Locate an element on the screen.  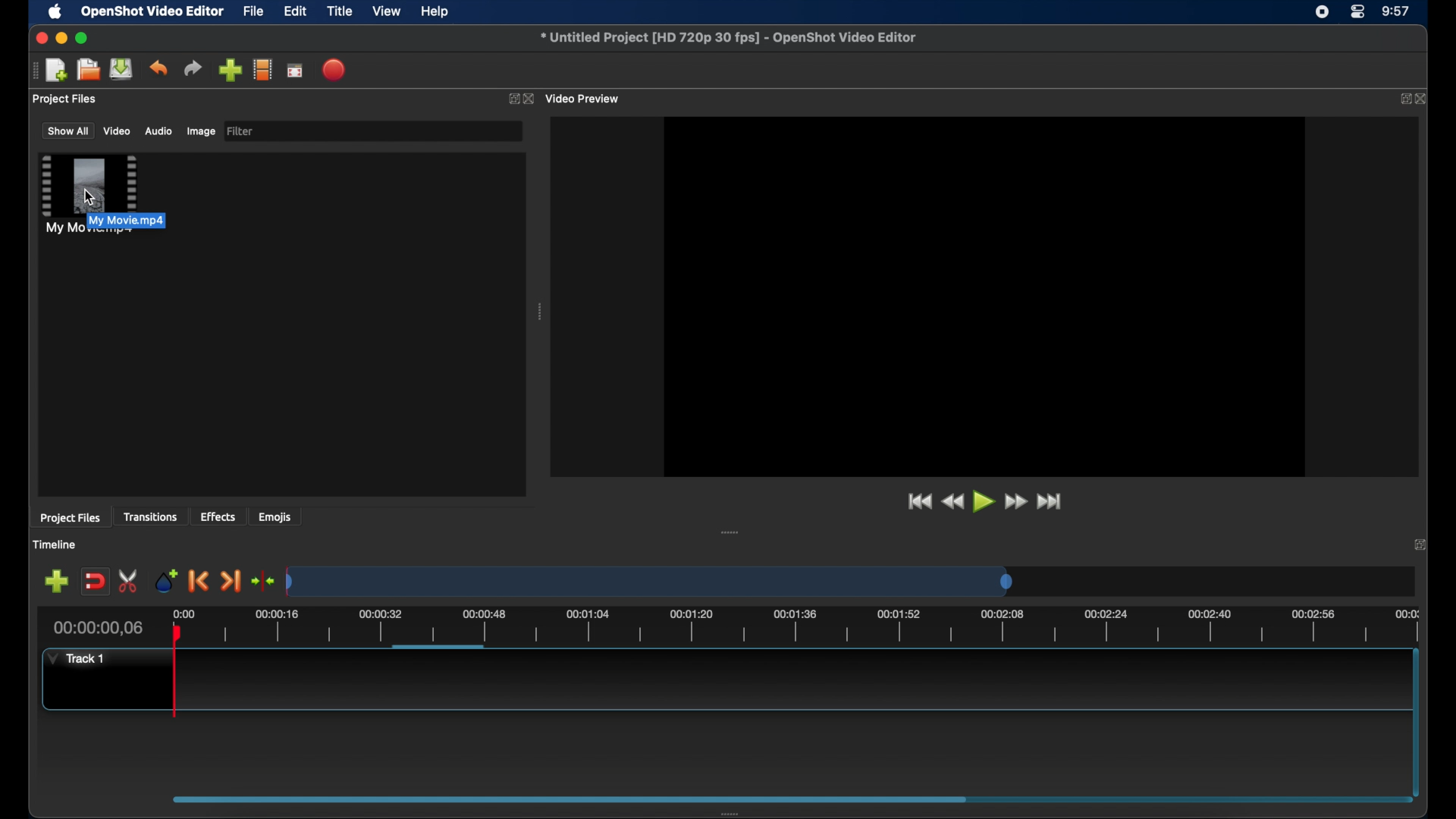
center the playhead on the timeline is located at coordinates (262, 581).